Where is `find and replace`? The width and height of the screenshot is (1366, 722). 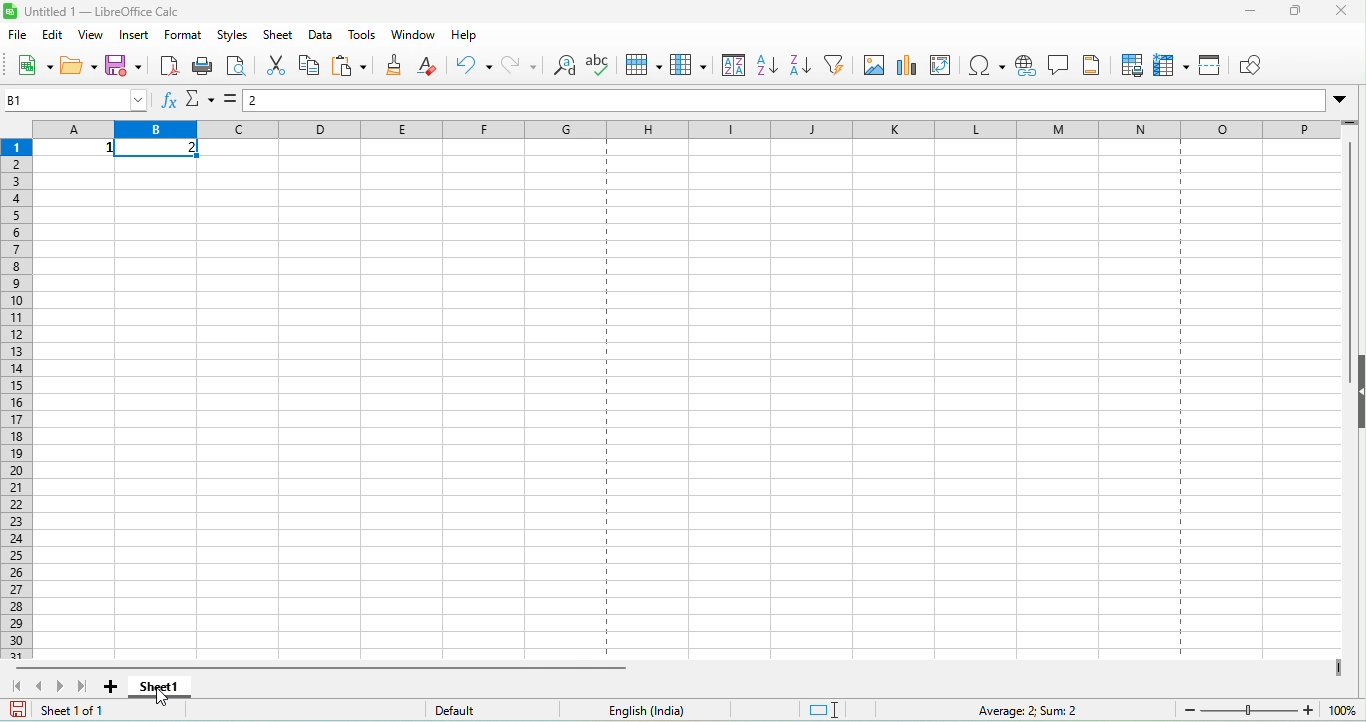
find and replace is located at coordinates (565, 70).